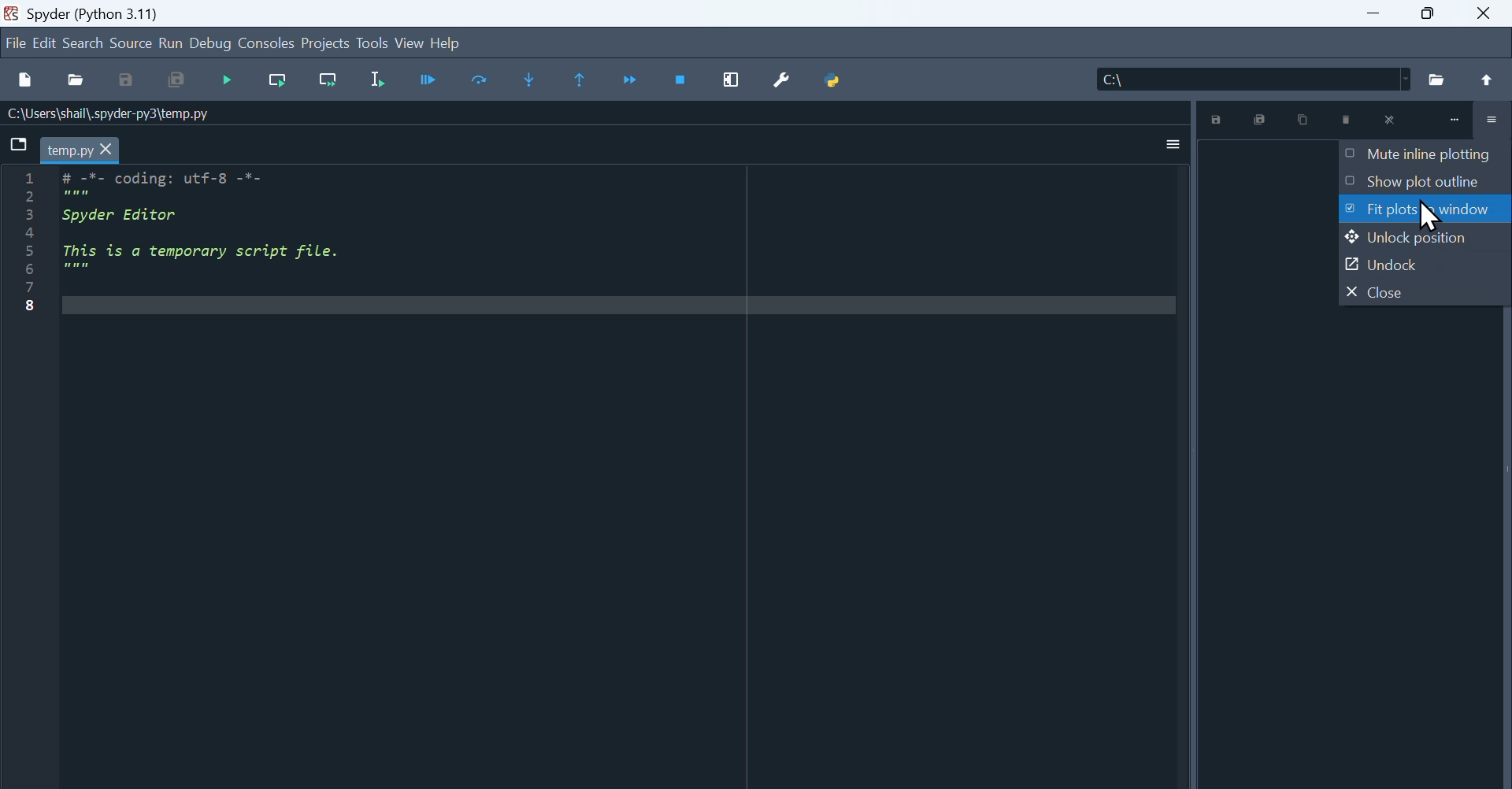  What do you see at coordinates (458, 44) in the screenshot?
I see `help` at bounding box center [458, 44].